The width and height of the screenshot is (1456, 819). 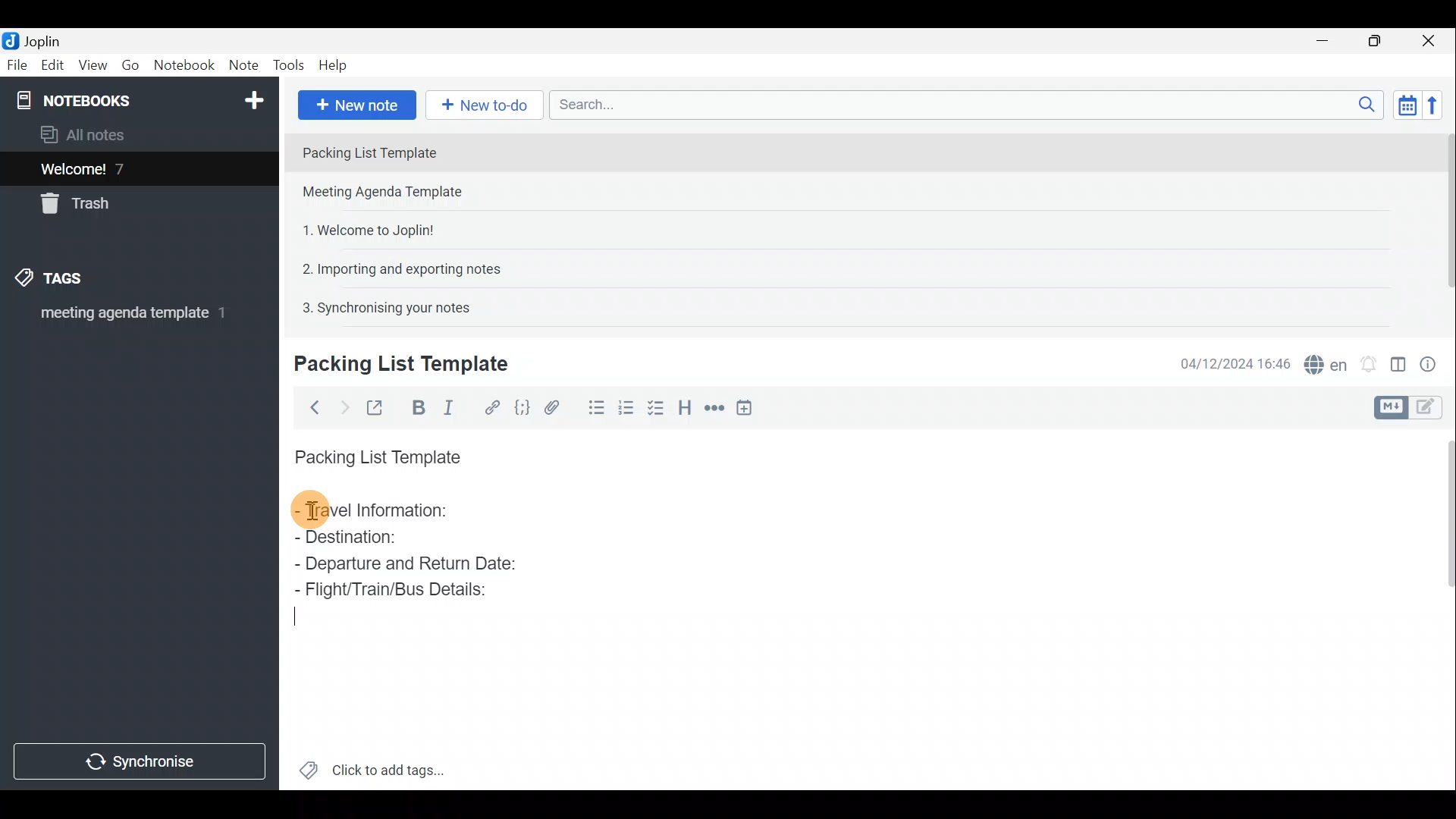 I want to click on Creating new note, so click(x=392, y=365).